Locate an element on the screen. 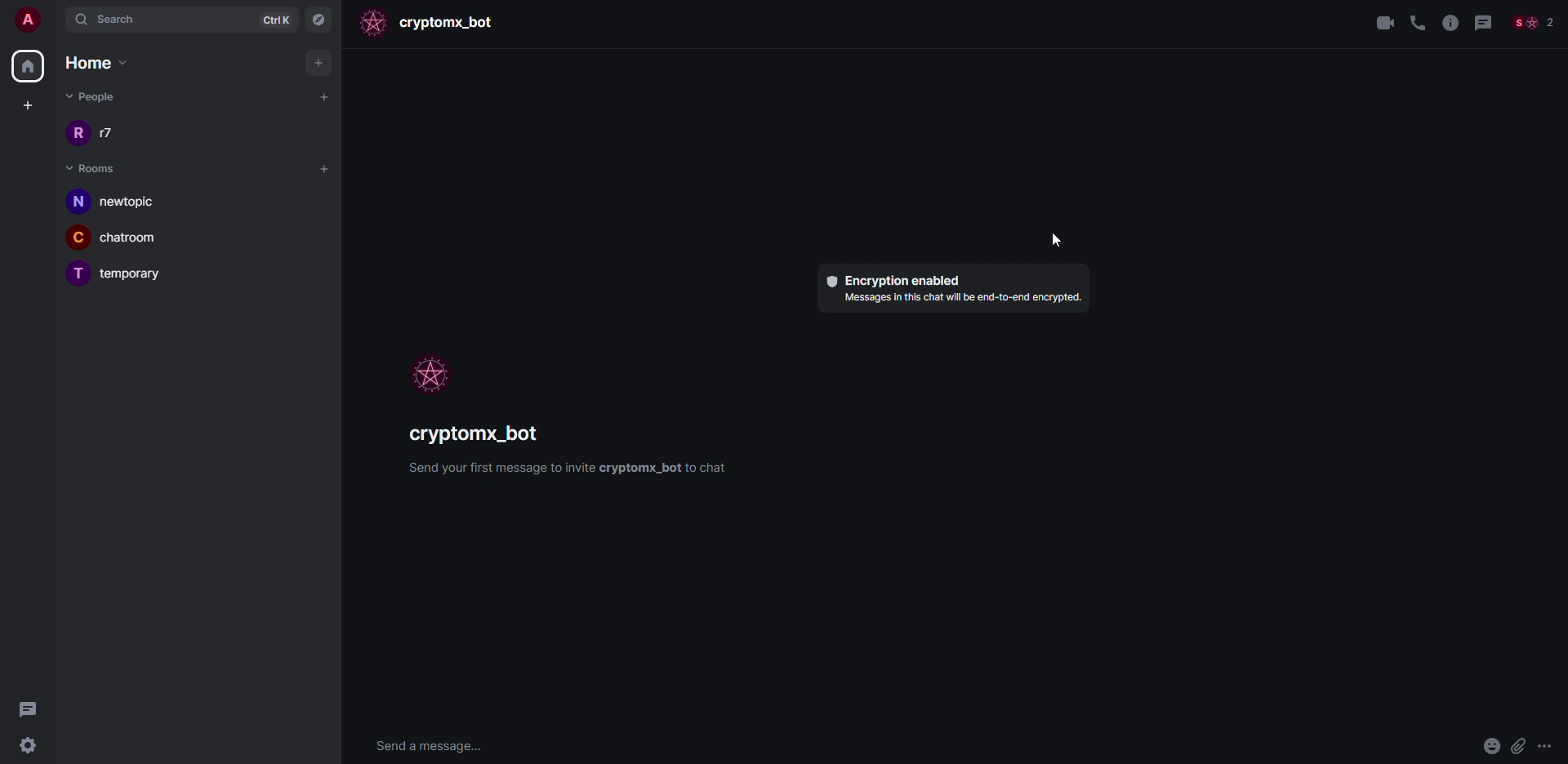 The width and height of the screenshot is (1568, 764). profile is located at coordinates (428, 375).